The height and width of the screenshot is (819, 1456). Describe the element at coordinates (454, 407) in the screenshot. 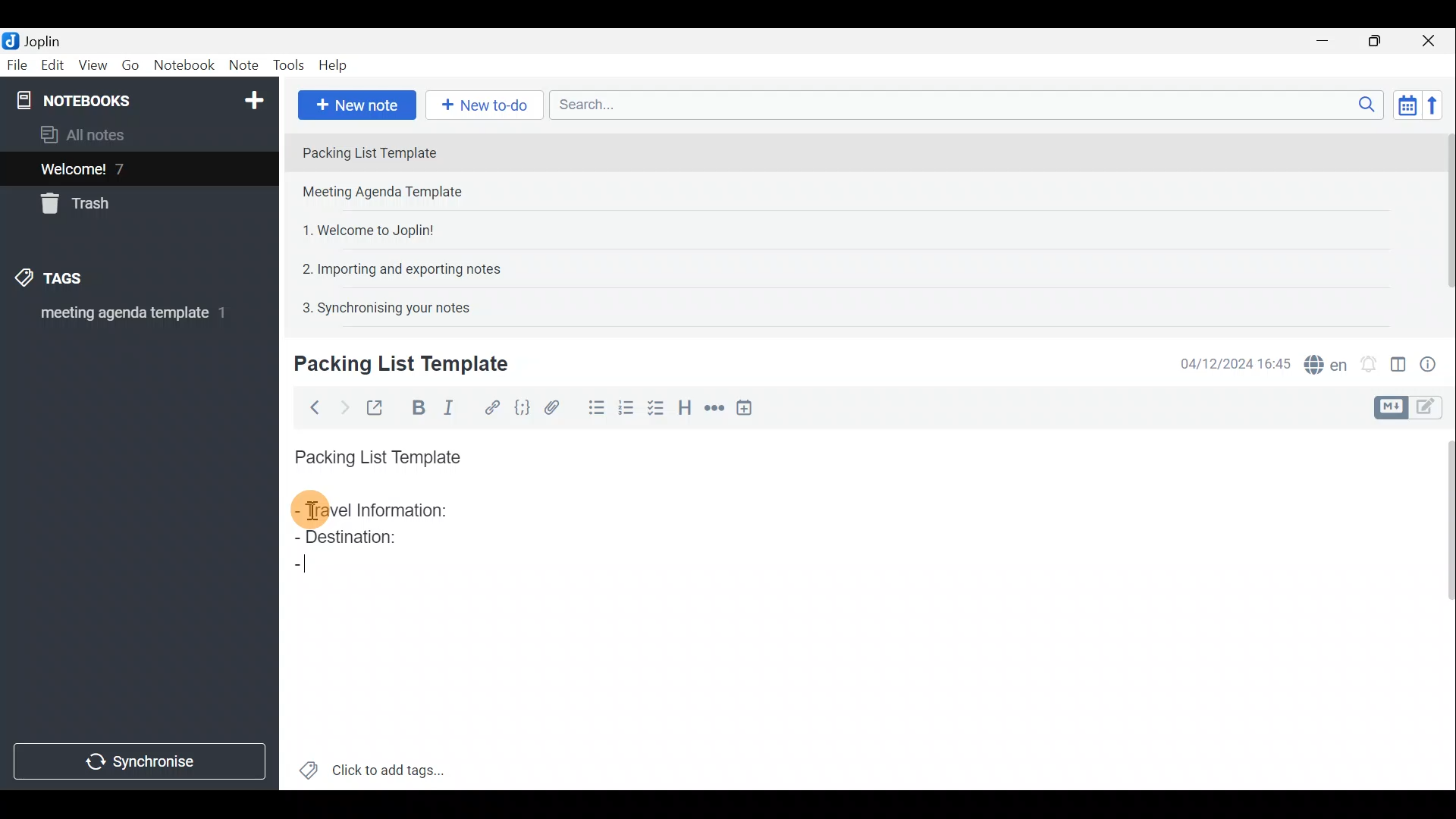

I see `Italic` at that location.